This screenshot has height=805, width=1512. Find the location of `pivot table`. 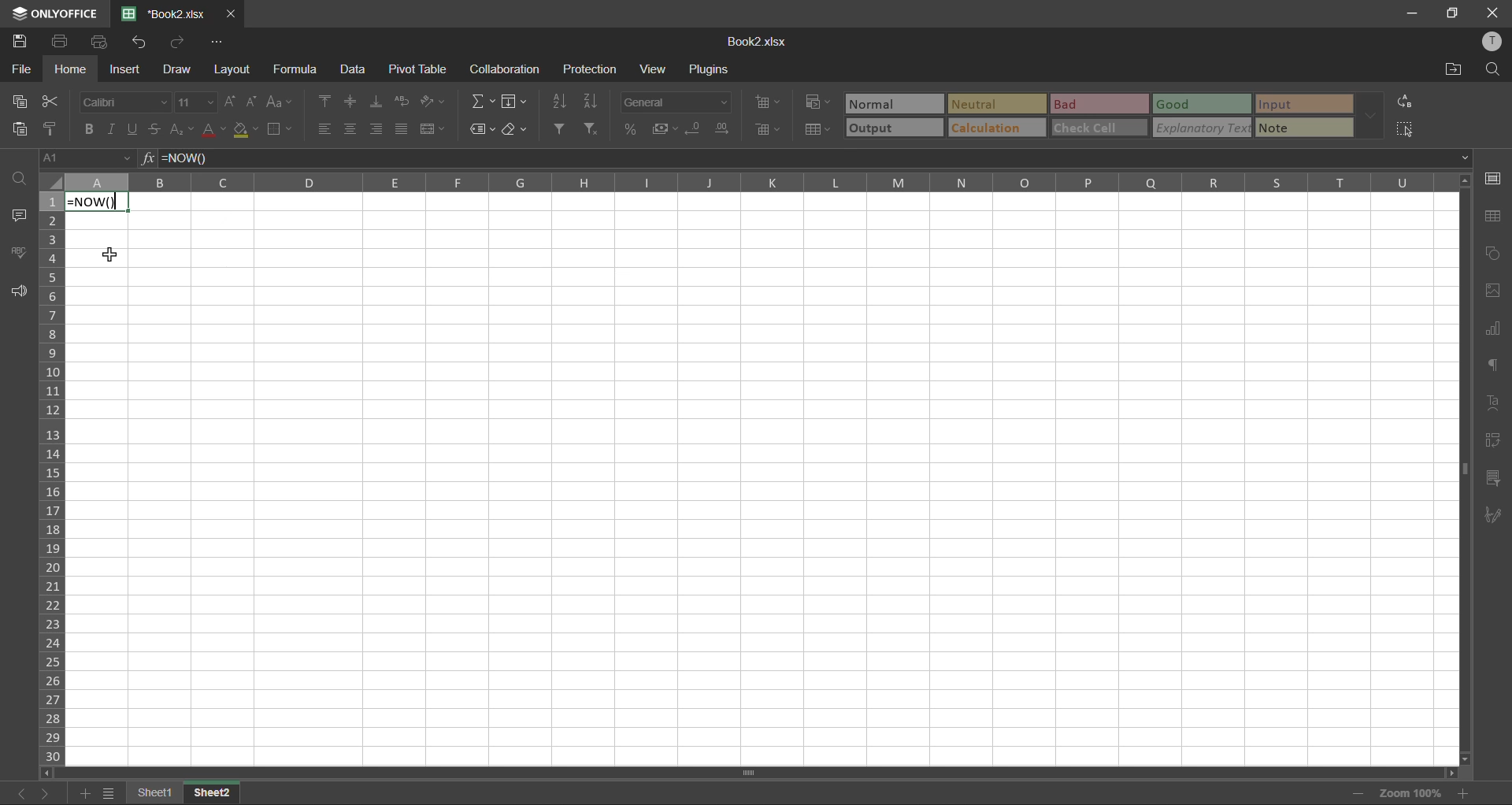

pivot table is located at coordinates (421, 69).